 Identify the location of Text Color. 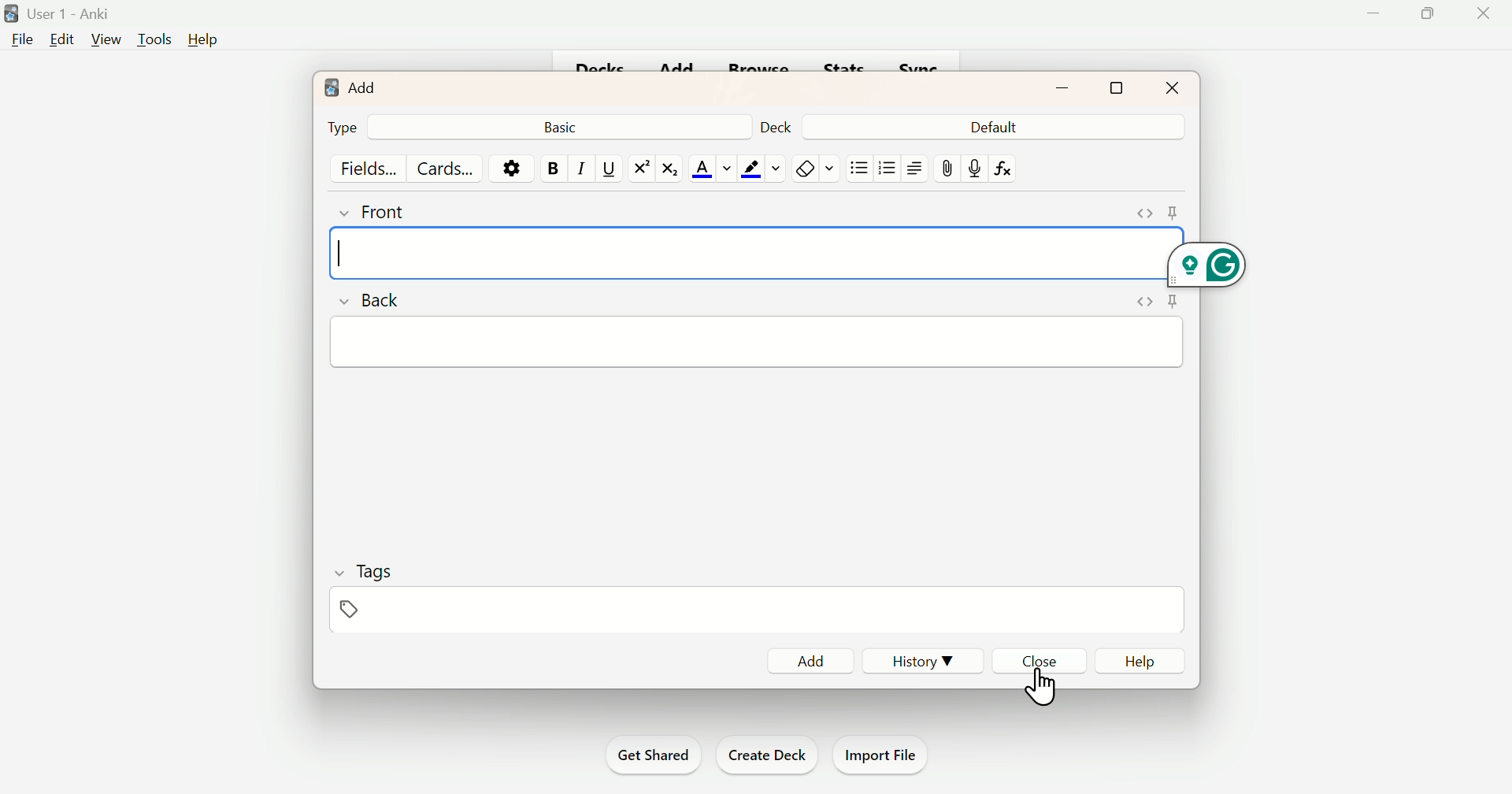
(713, 165).